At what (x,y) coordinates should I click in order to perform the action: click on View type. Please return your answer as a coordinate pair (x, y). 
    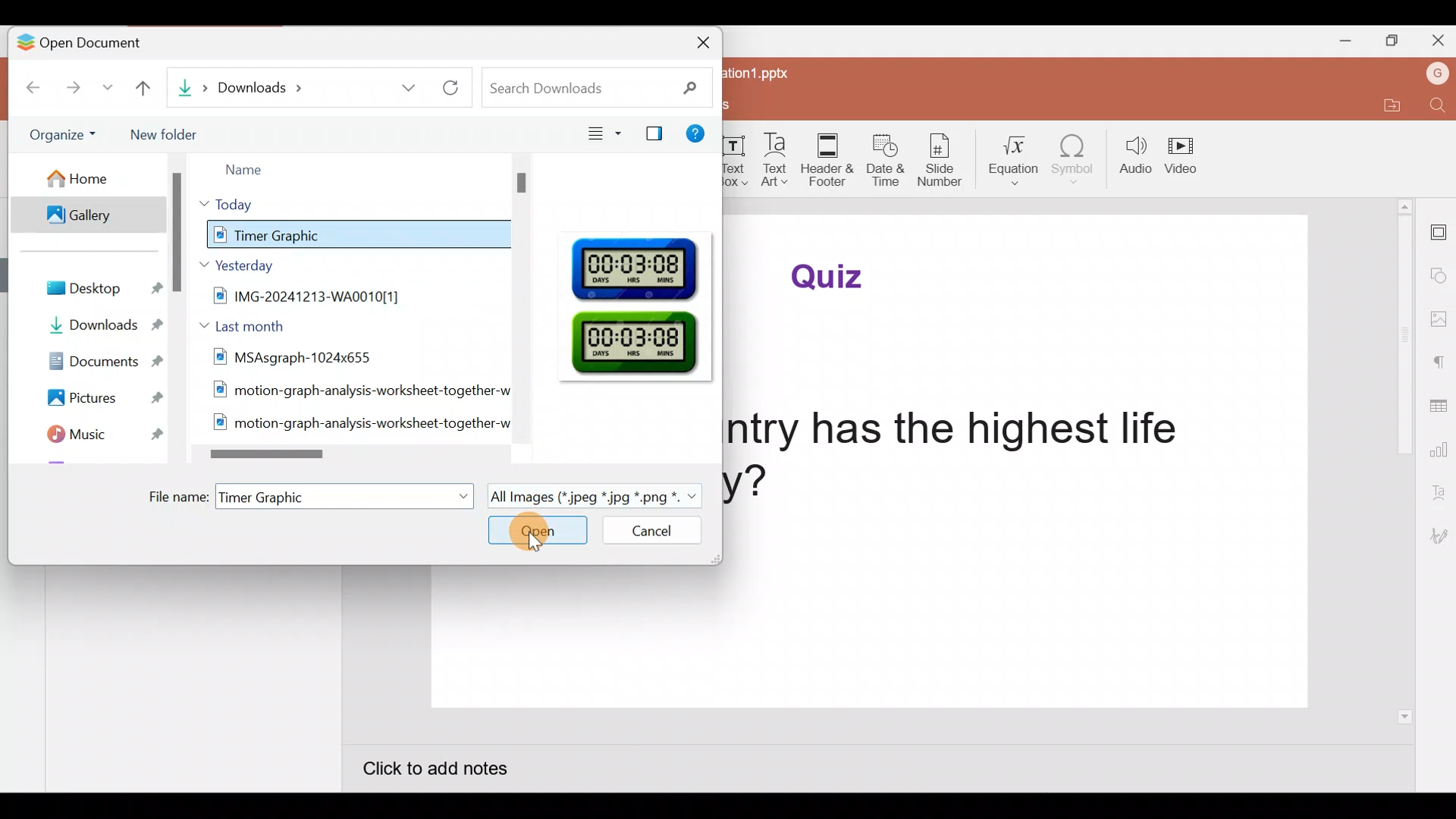
    Looking at the image, I should click on (600, 132).